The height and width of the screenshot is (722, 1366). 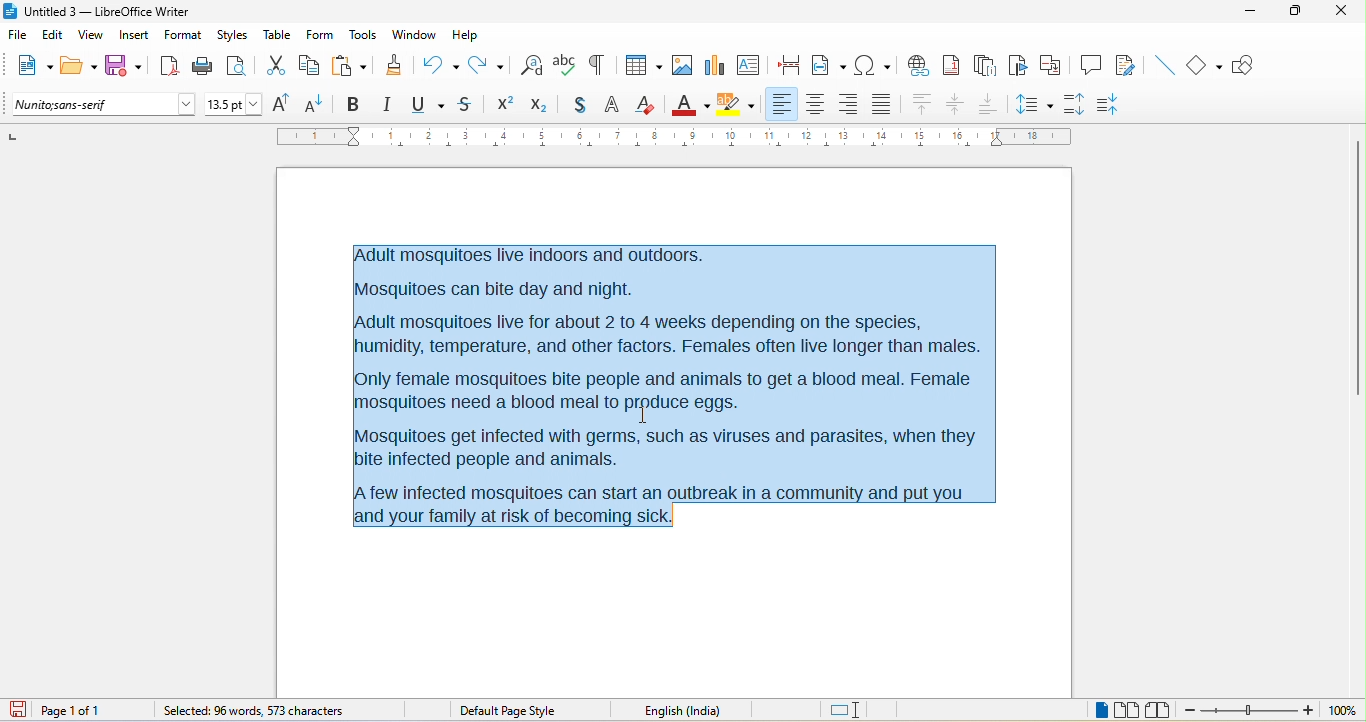 What do you see at coordinates (413, 37) in the screenshot?
I see `window` at bounding box center [413, 37].